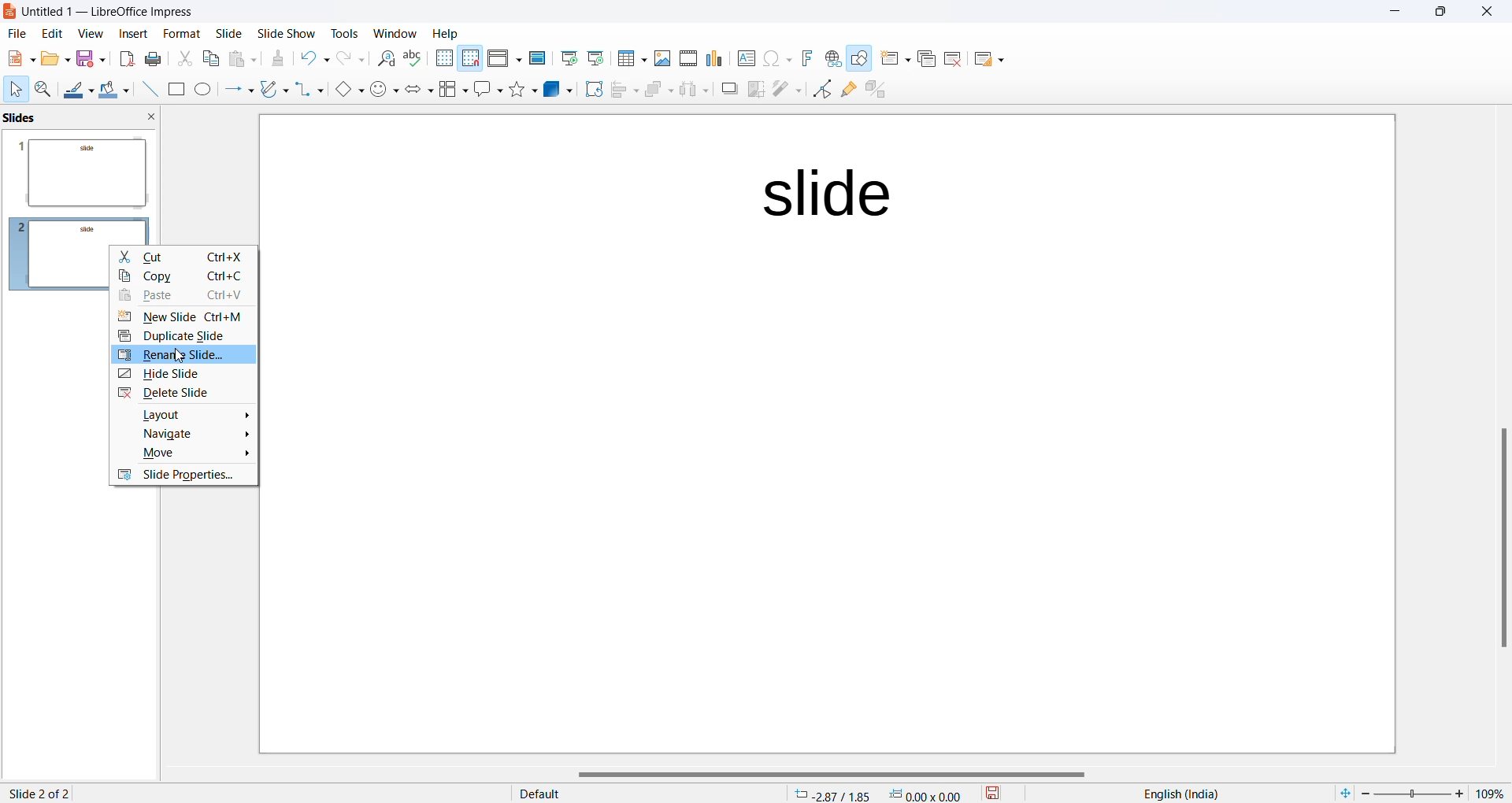 The width and height of the screenshot is (1512, 803). What do you see at coordinates (956, 58) in the screenshot?
I see `Delete slide` at bounding box center [956, 58].